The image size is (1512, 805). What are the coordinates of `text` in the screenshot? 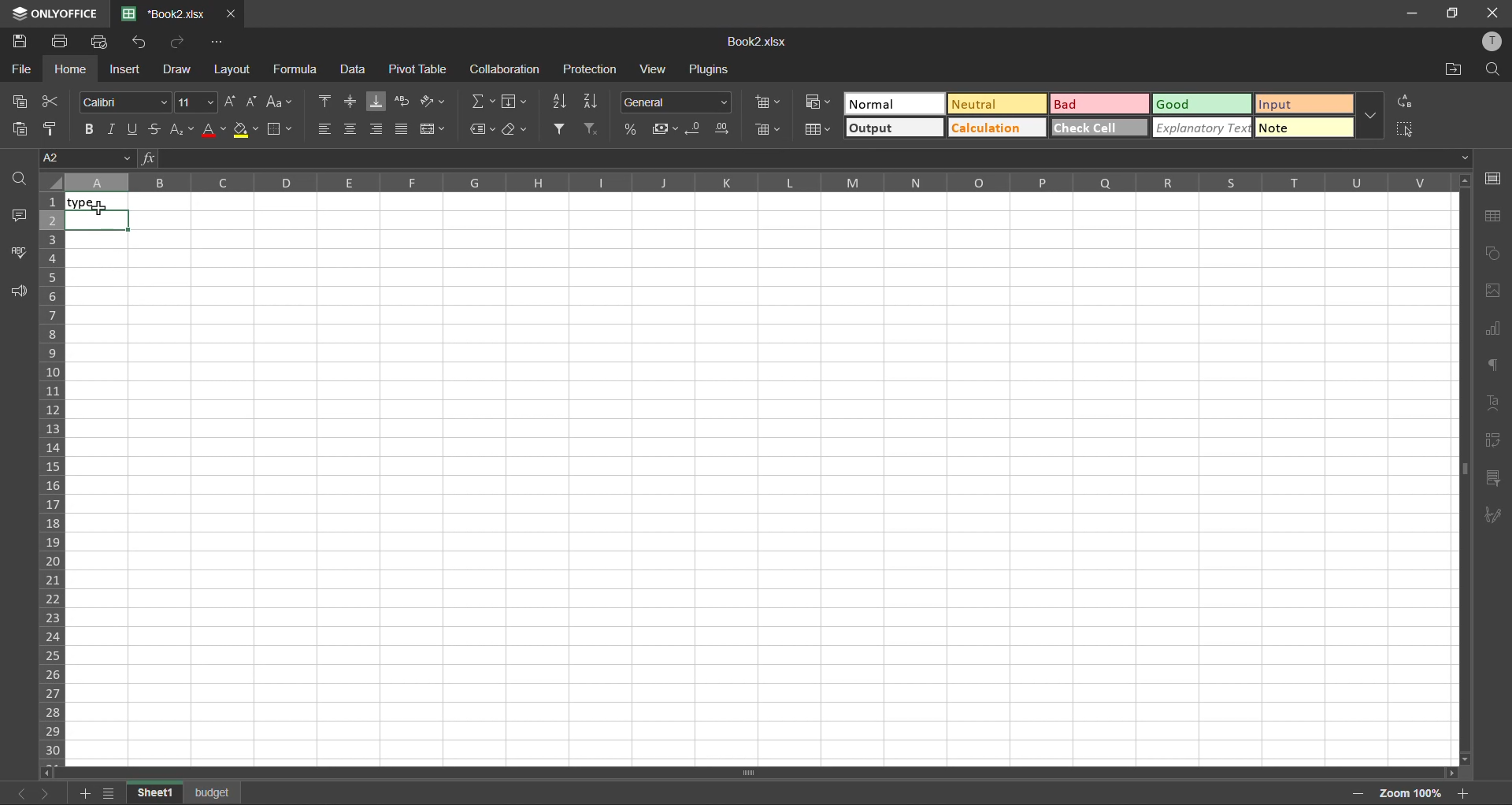 It's located at (1492, 402).